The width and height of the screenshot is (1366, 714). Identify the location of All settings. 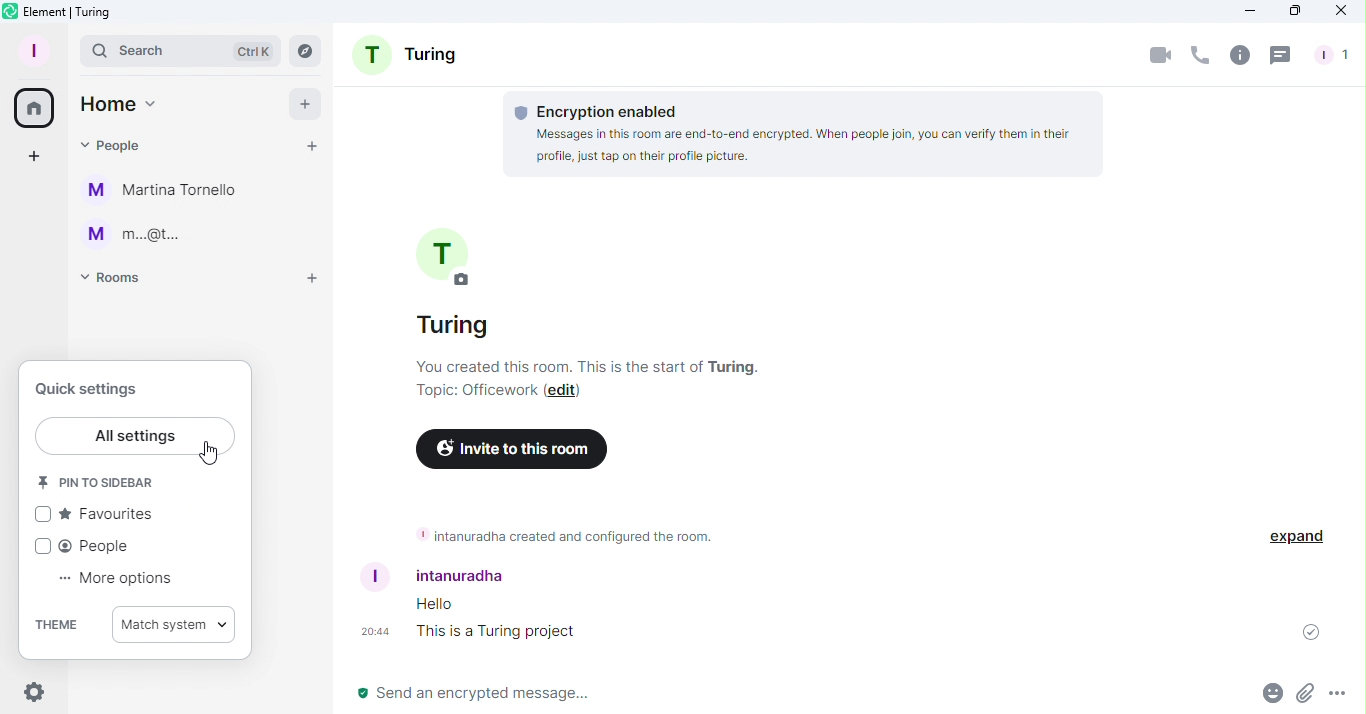
(134, 436).